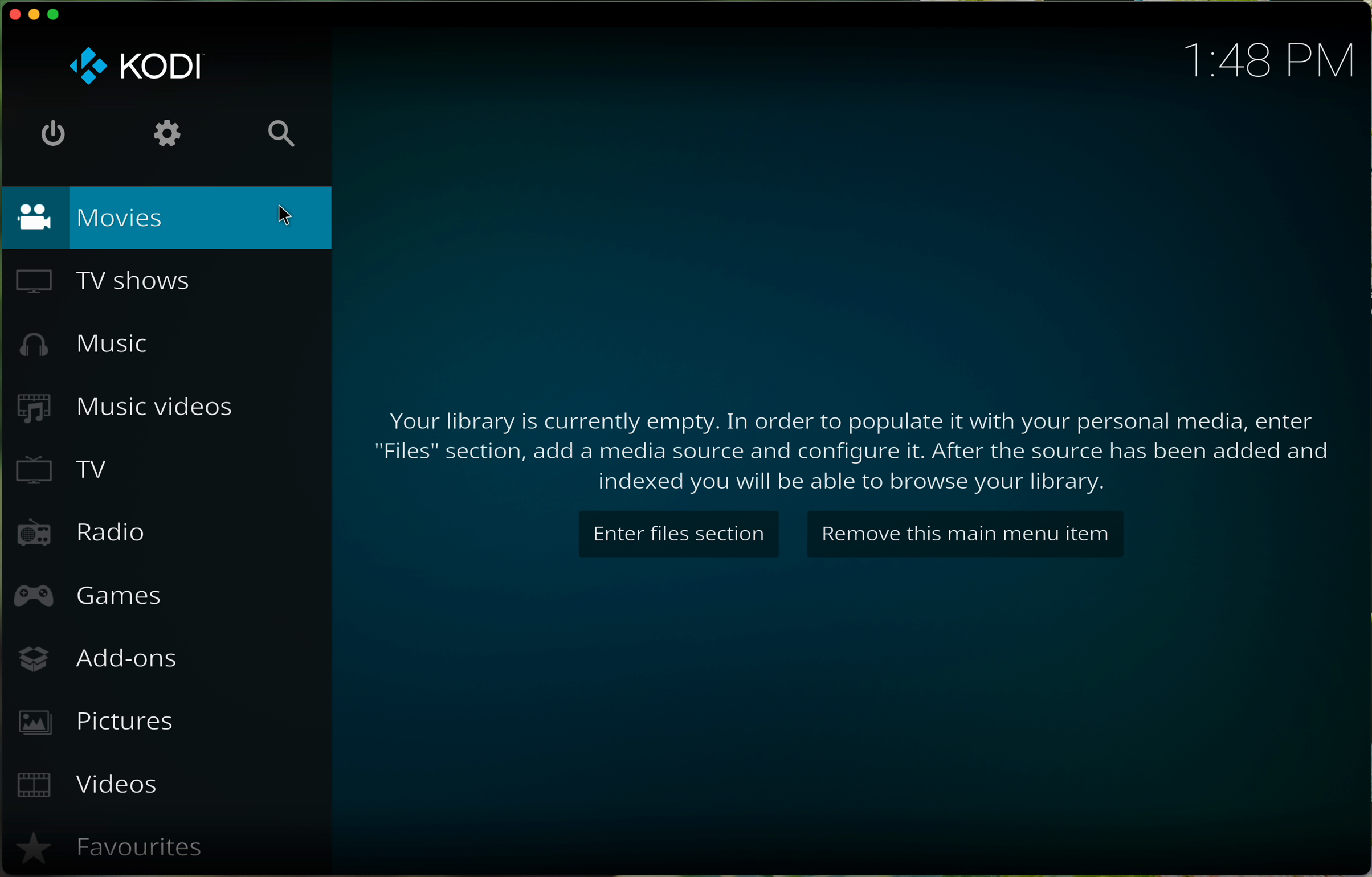  I want to click on games, so click(108, 598).